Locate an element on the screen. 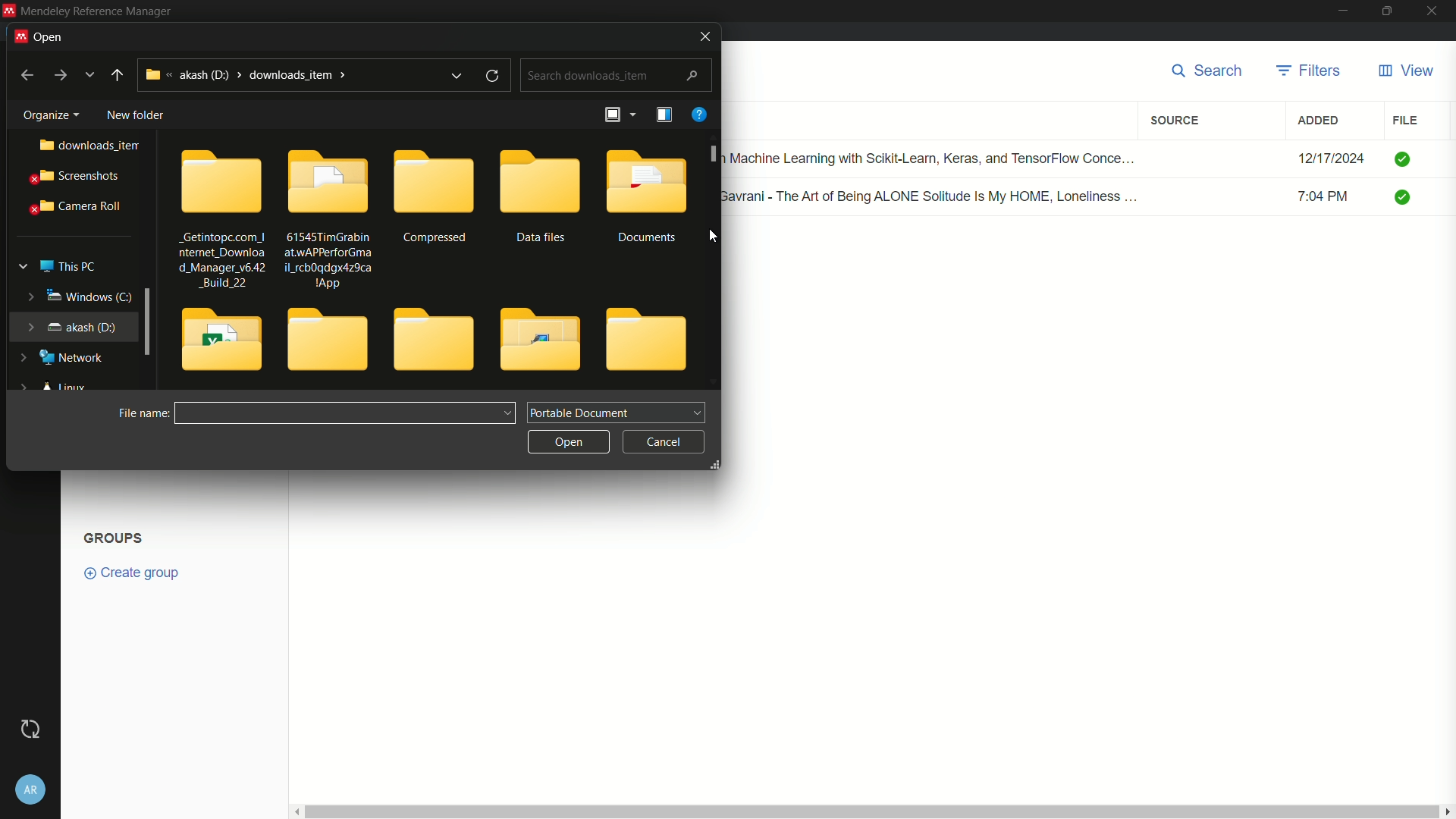 This screenshot has width=1456, height=819. Groups is located at coordinates (116, 536).